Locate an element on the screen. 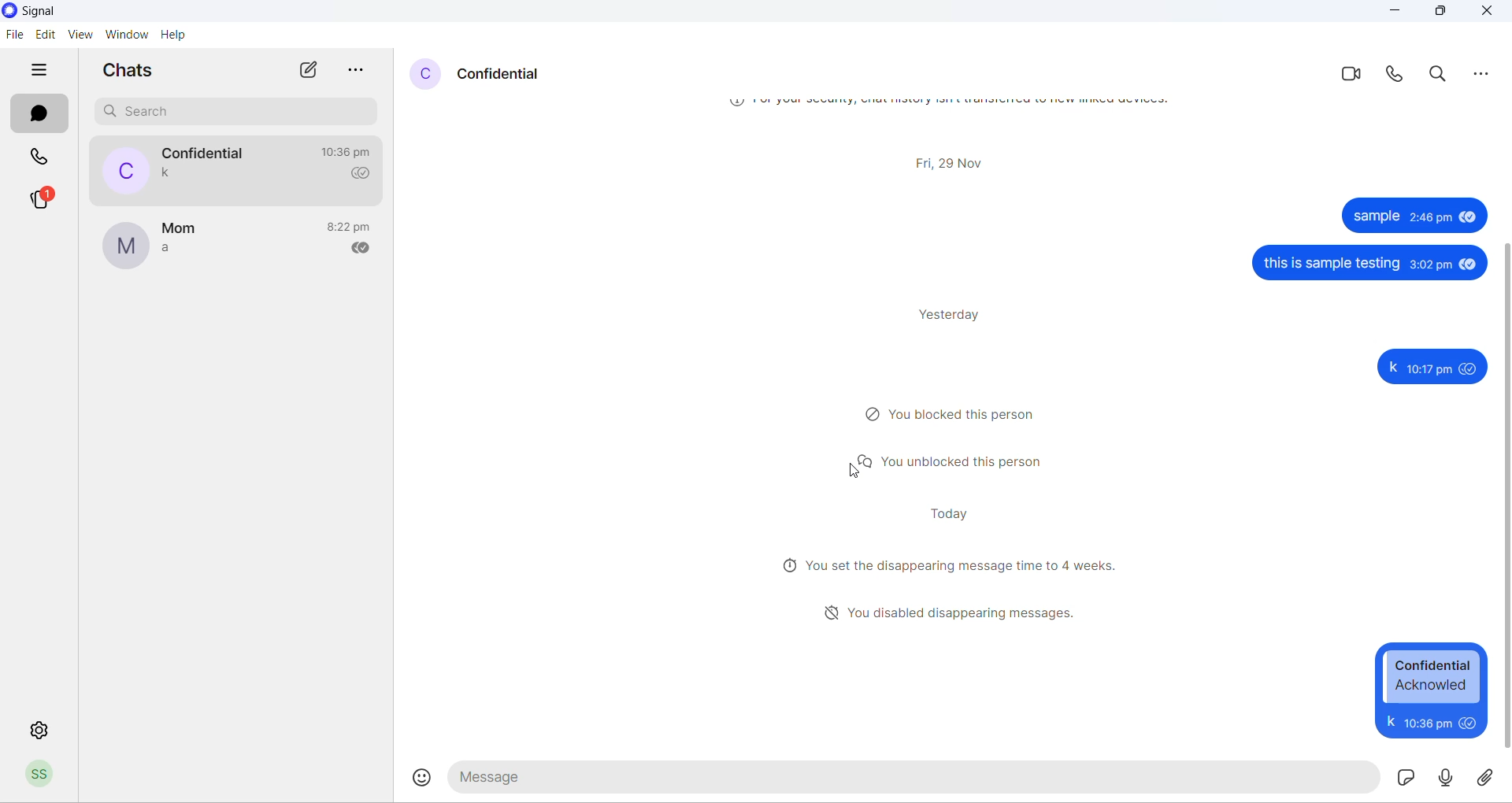 This screenshot has width=1512, height=803. new chats  is located at coordinates (308, 71).